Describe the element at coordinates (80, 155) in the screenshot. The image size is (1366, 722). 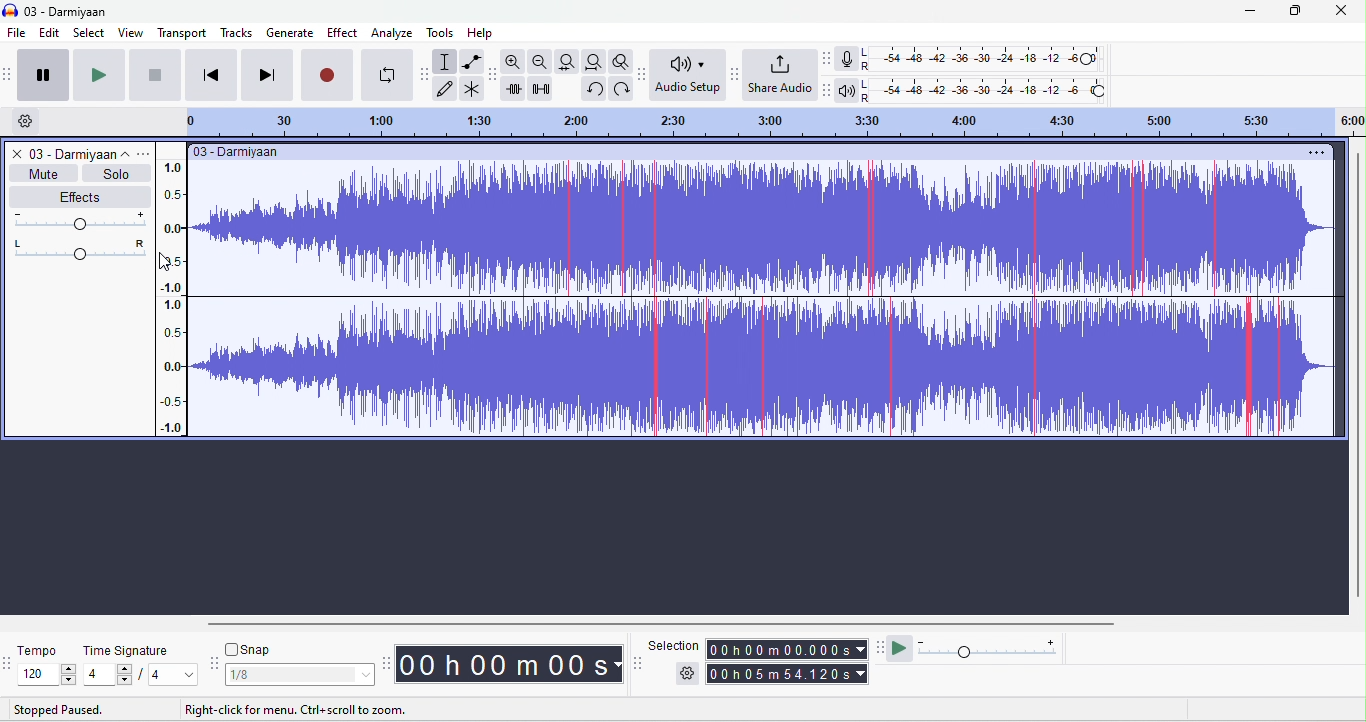
I see `title` at that location.